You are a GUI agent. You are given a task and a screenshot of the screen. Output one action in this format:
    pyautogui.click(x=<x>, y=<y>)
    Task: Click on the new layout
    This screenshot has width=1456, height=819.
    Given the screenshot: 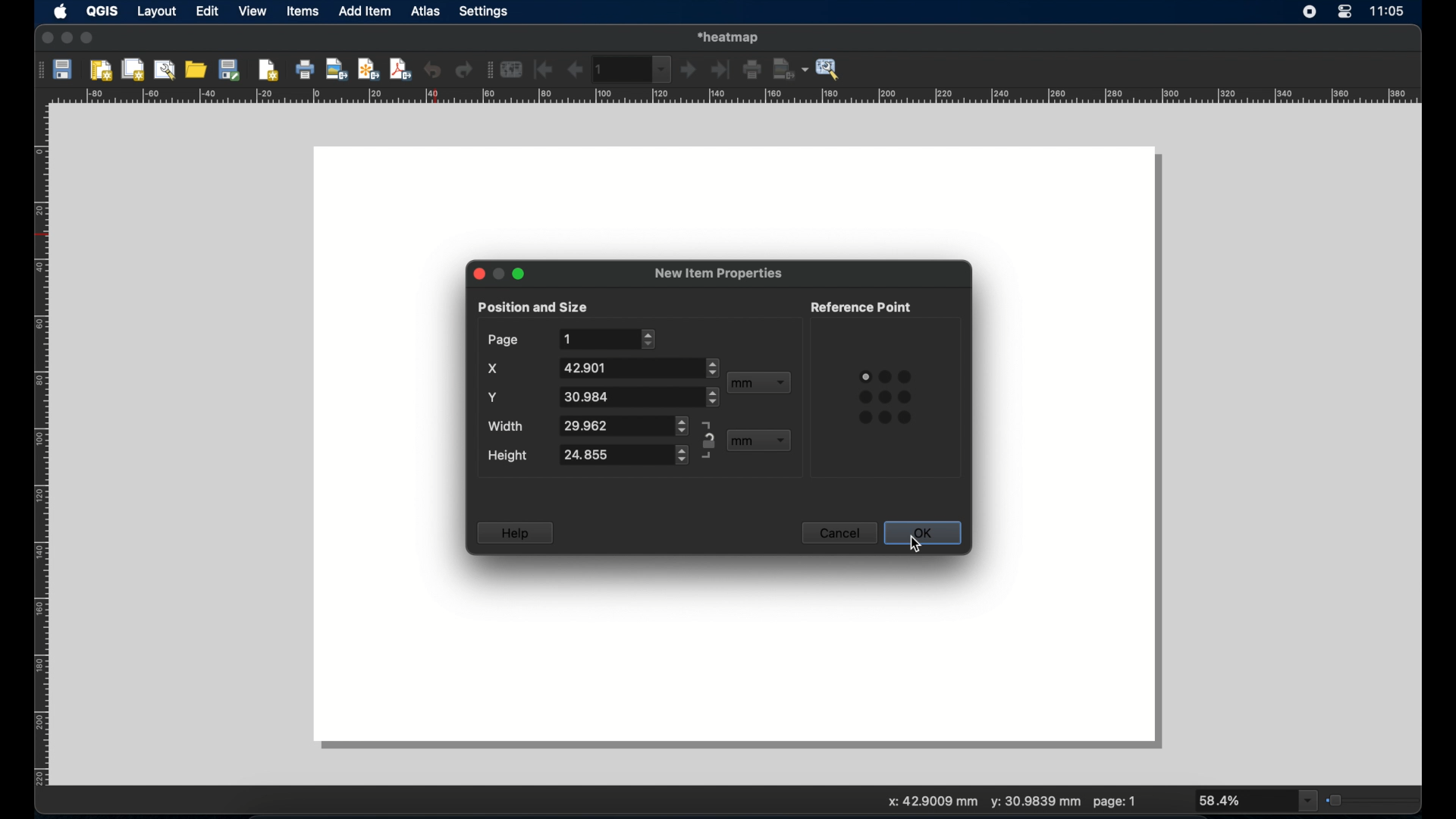 What is the action you would take?
    pyautogui.click(x=102, y=71)
    